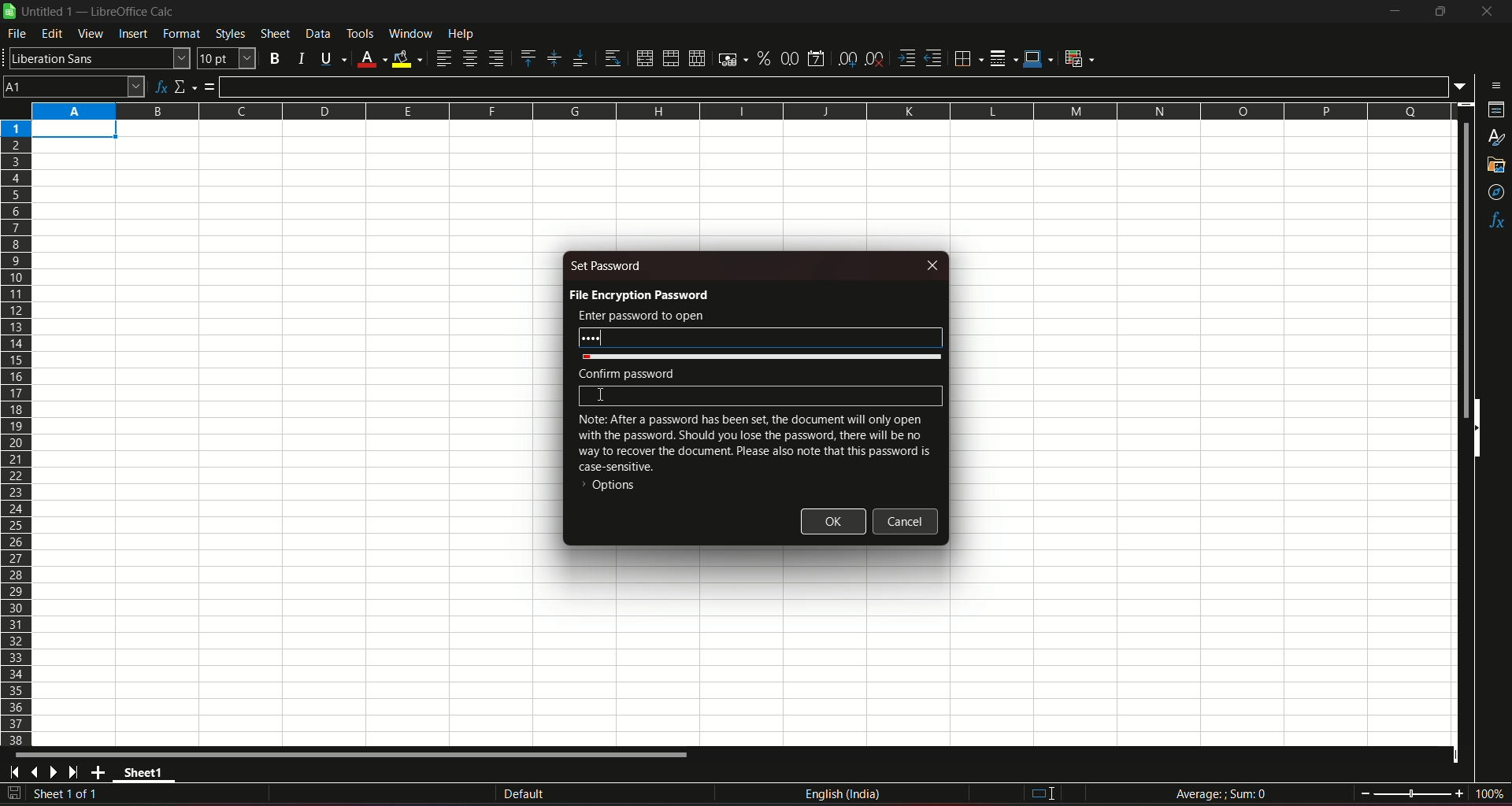  What do you see at coordinates (181, 35) in the screenshot?
I see `Format` at bounding box center [181, 35].